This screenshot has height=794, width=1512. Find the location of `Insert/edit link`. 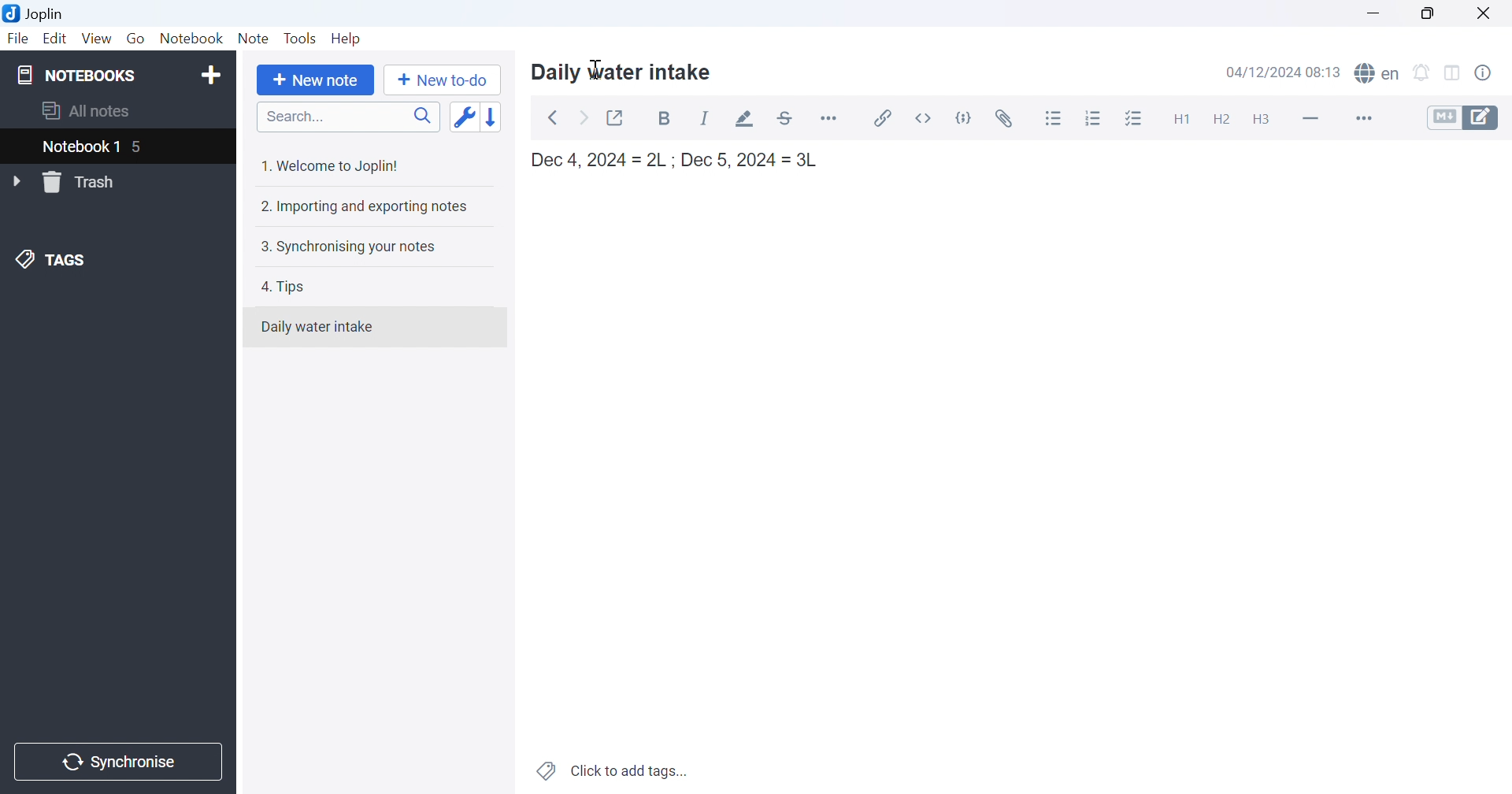

Insert/edit link is located at coordinates (884, 118).